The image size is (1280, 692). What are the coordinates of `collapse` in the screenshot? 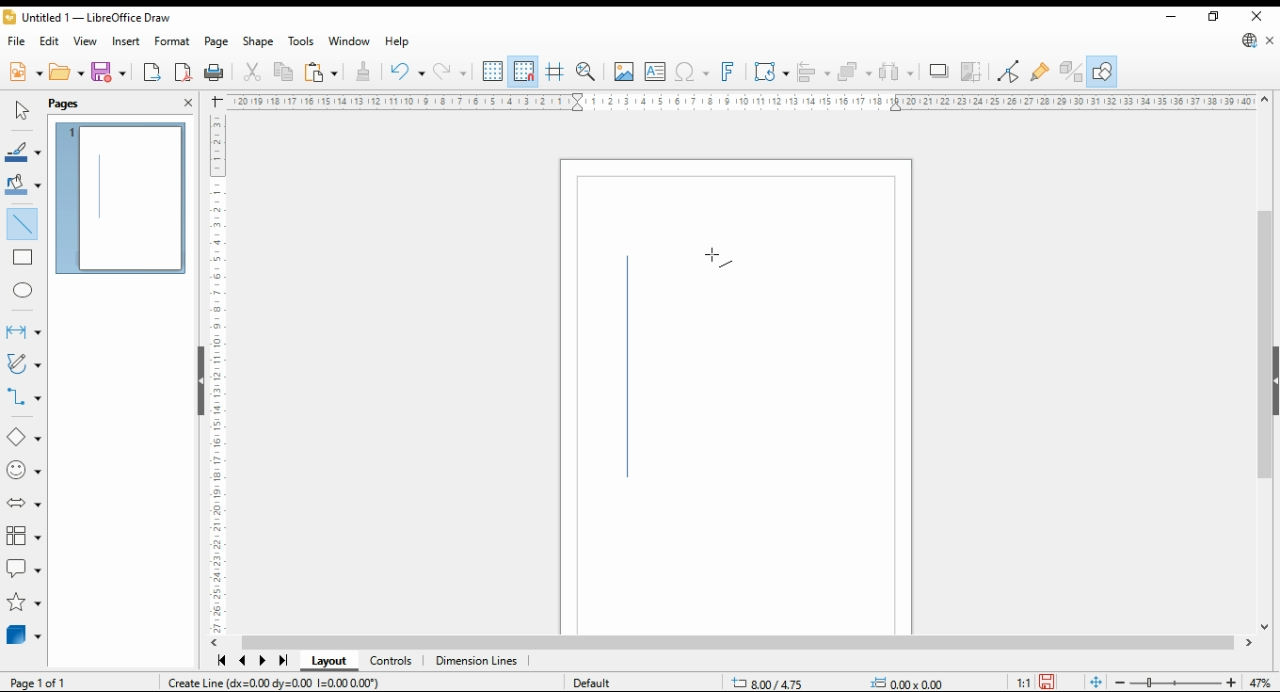 It's located at (1274, 379).